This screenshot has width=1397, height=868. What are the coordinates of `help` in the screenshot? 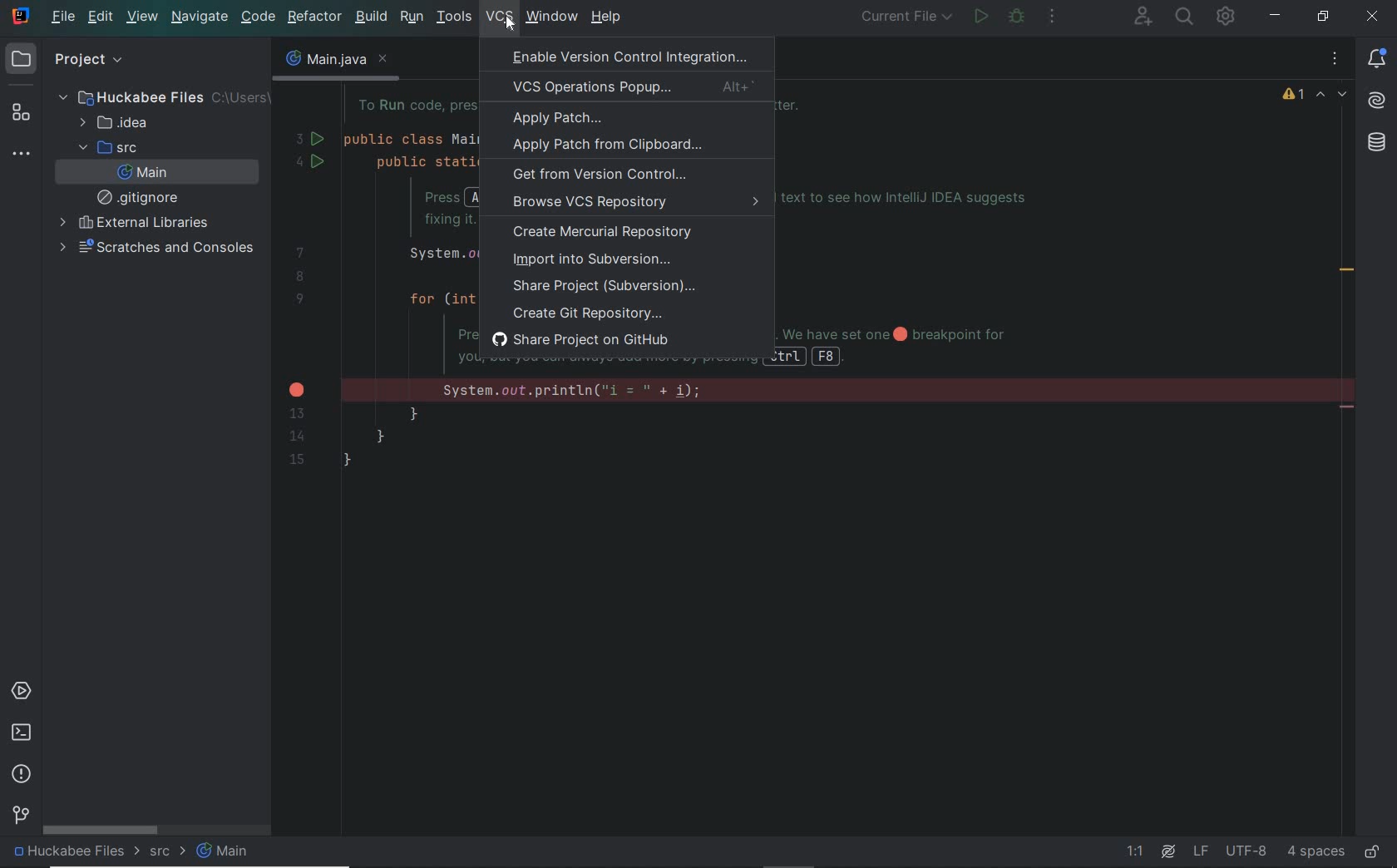 It's located at (607, 18).